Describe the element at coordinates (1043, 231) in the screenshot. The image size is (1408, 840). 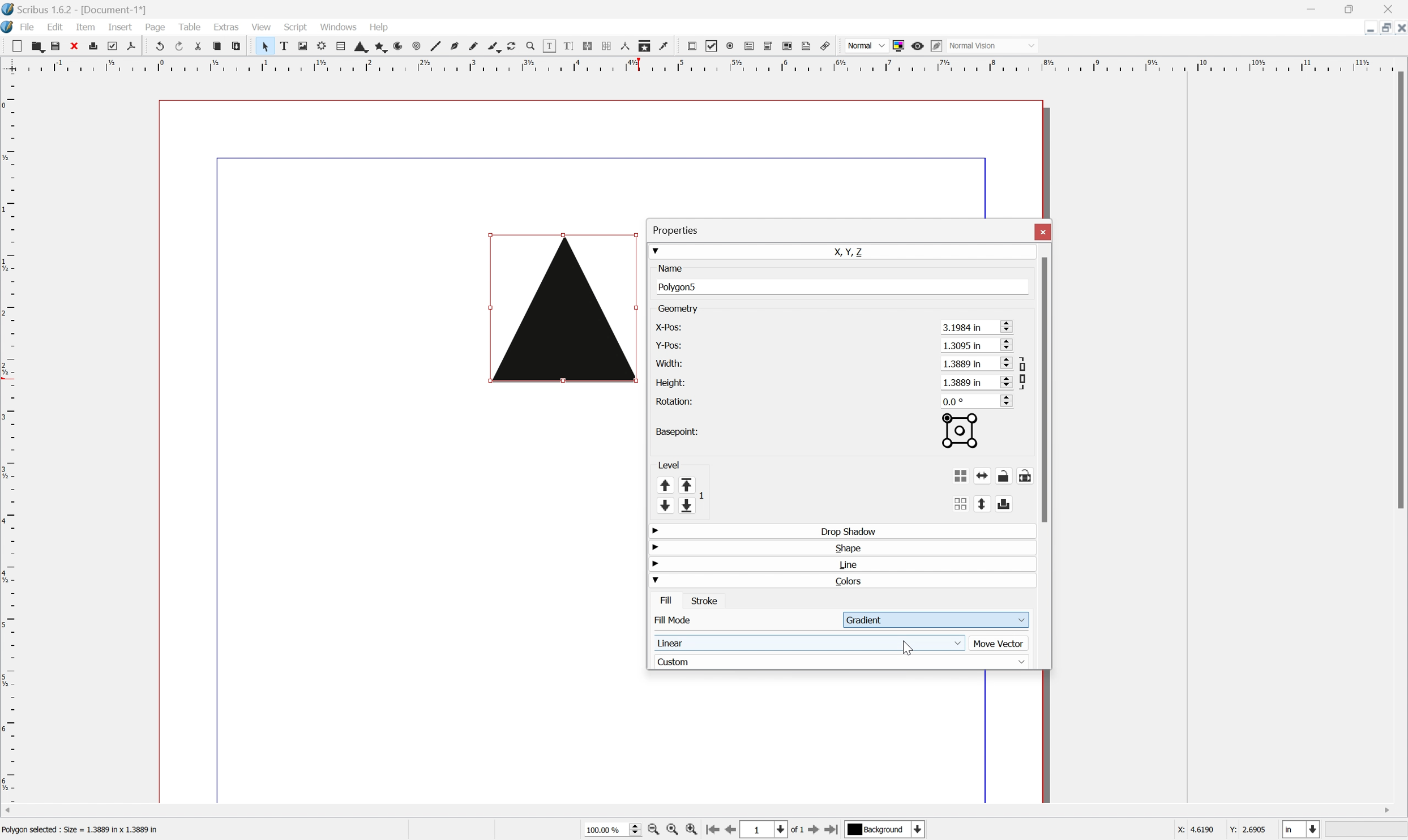
I see `Close` at that location.